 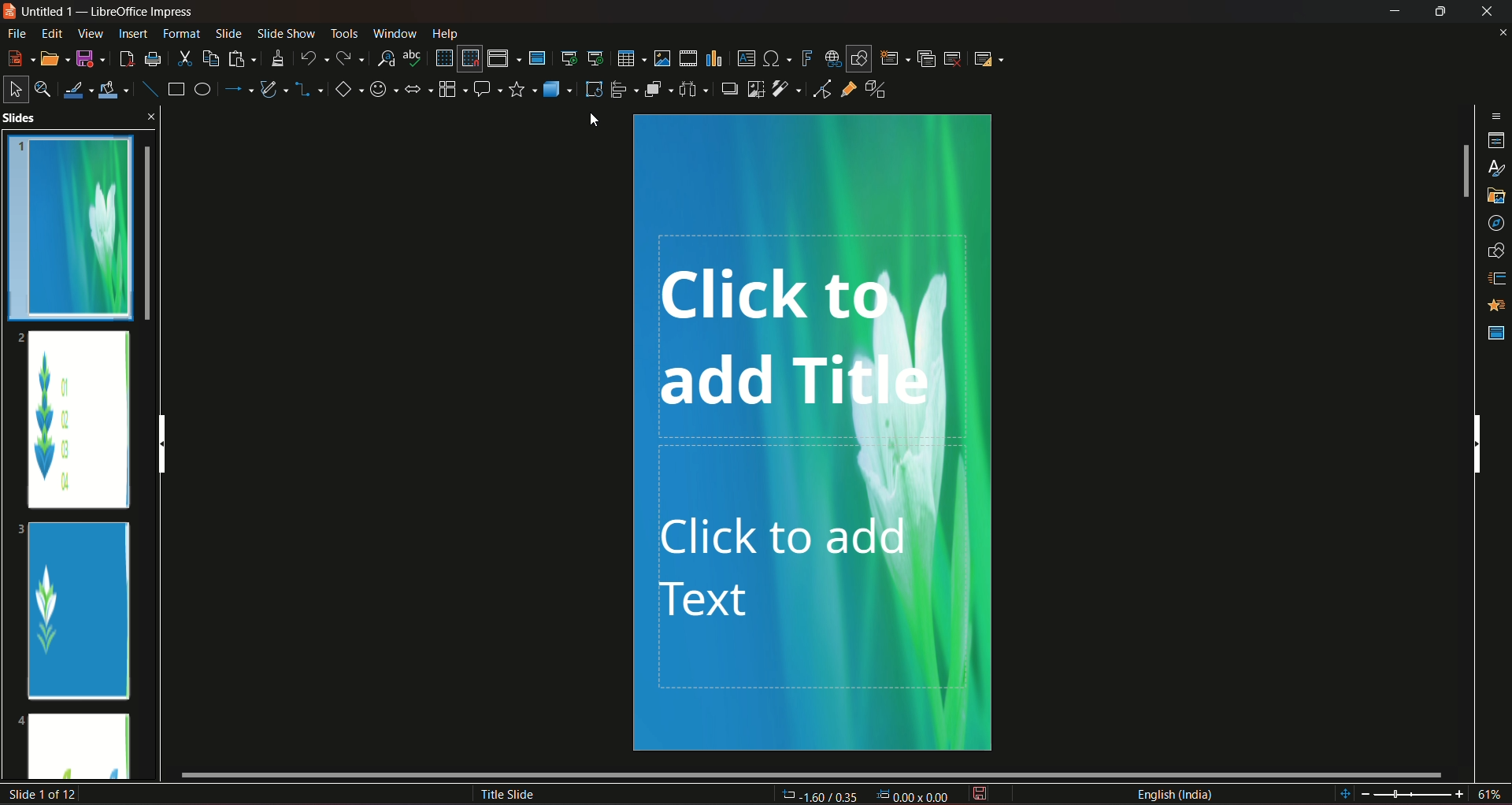 What do you see at coordinates (154, 115) in the screenshot?
I see `close` at bounding box center [154, 115].